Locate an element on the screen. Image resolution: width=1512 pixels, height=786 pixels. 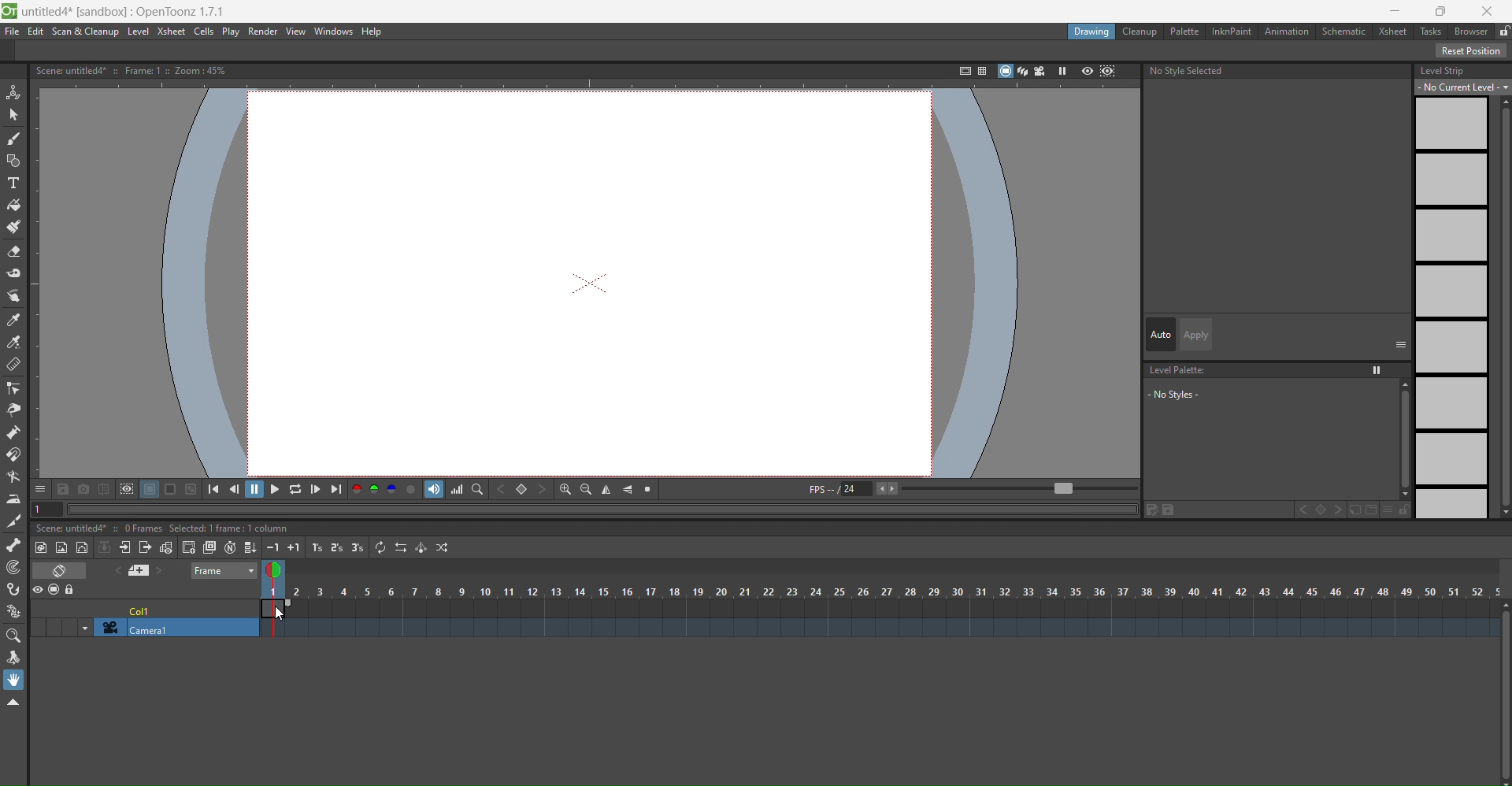
 is located at coordinates (61, 570).